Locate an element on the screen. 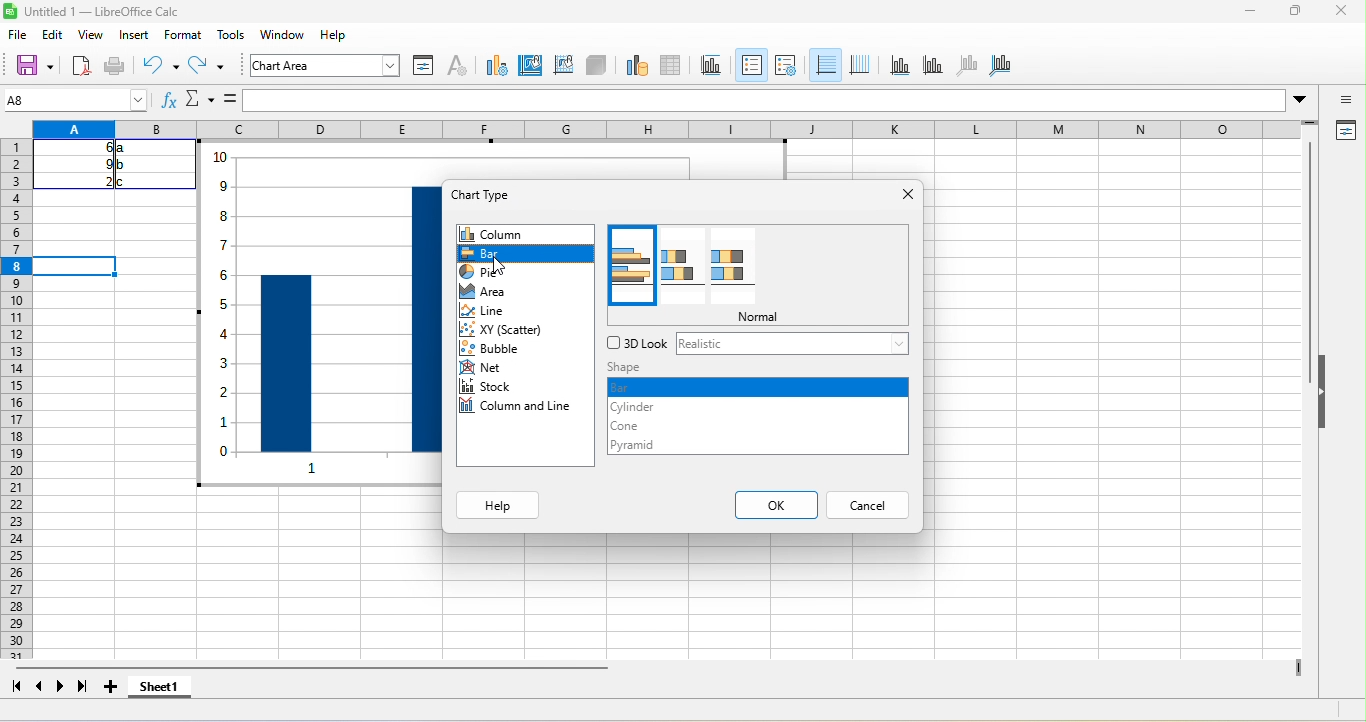 The width and height of the screenshot is (1366, 722). stock is located at coordinates (496, 387).